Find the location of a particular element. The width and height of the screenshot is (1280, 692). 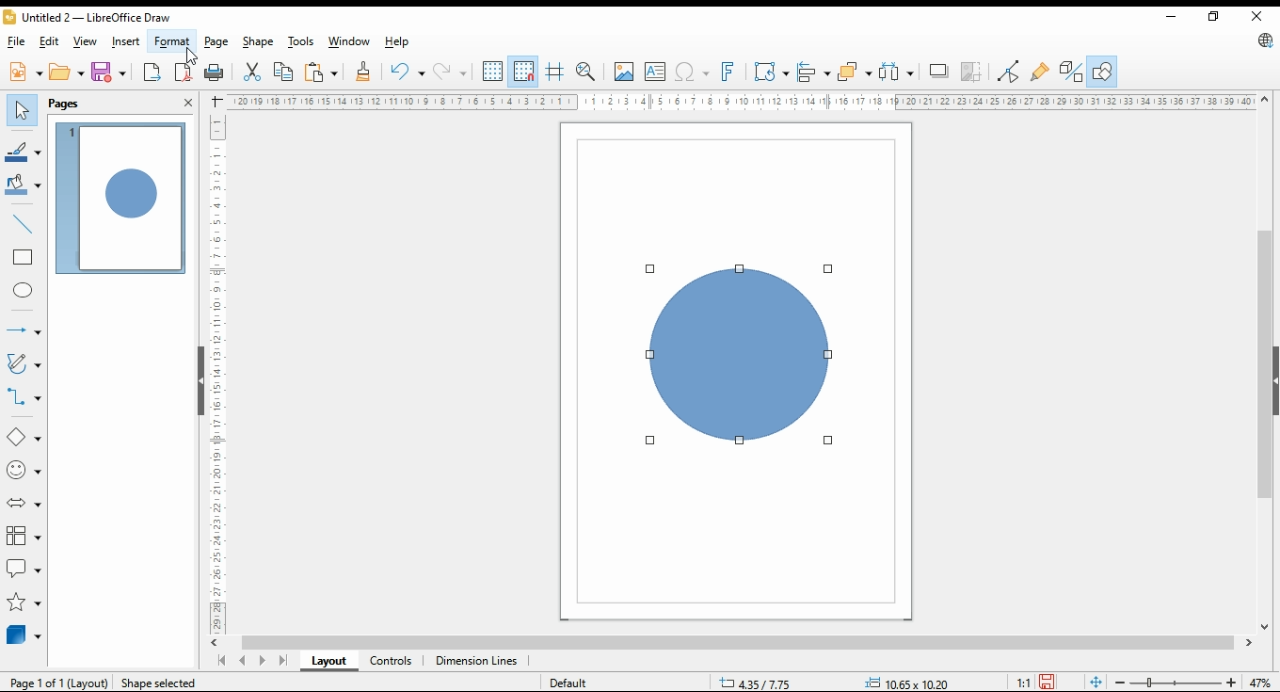

redo is located at coordinates (449, 71).